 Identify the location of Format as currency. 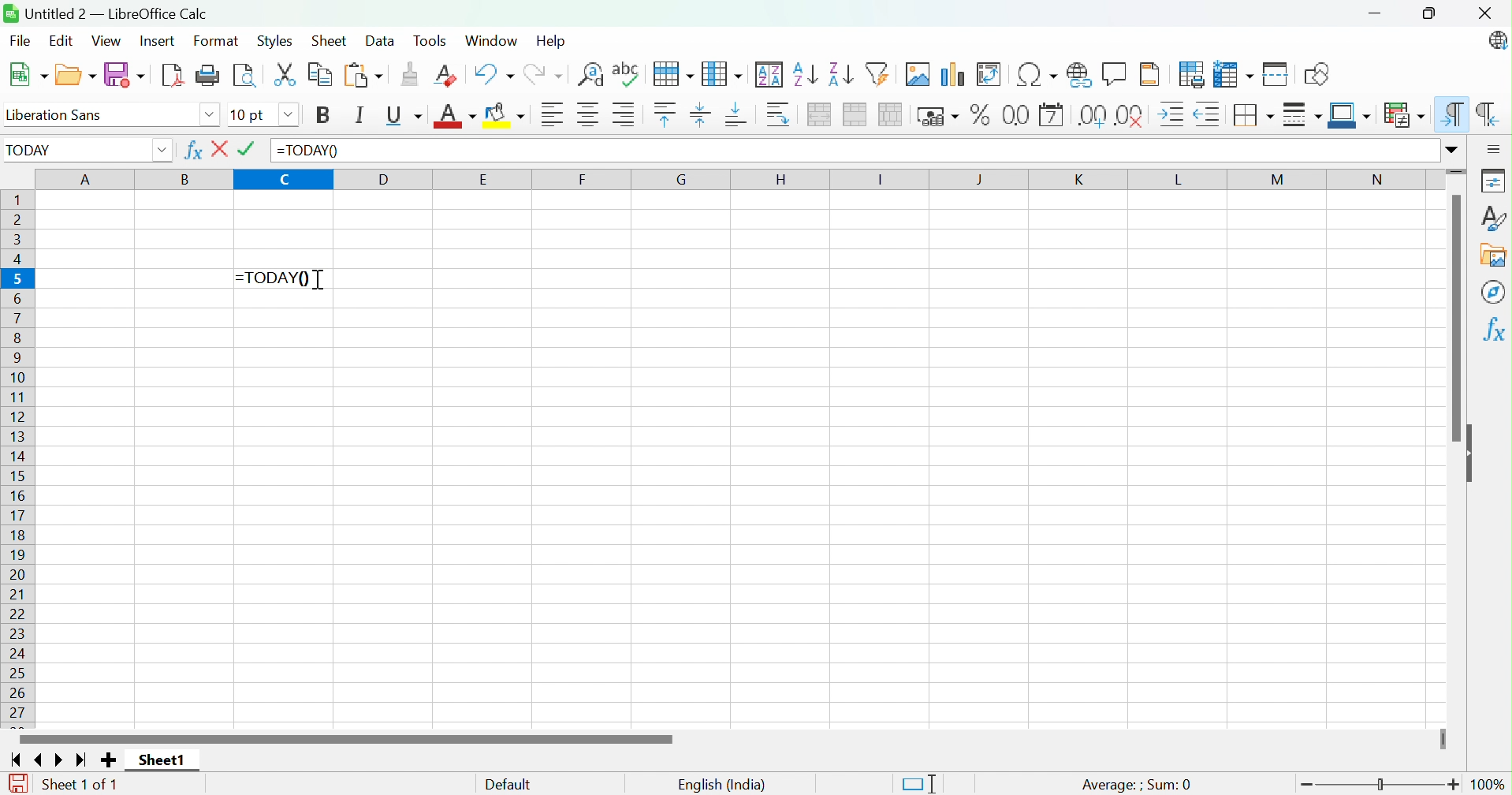
(940, 117).